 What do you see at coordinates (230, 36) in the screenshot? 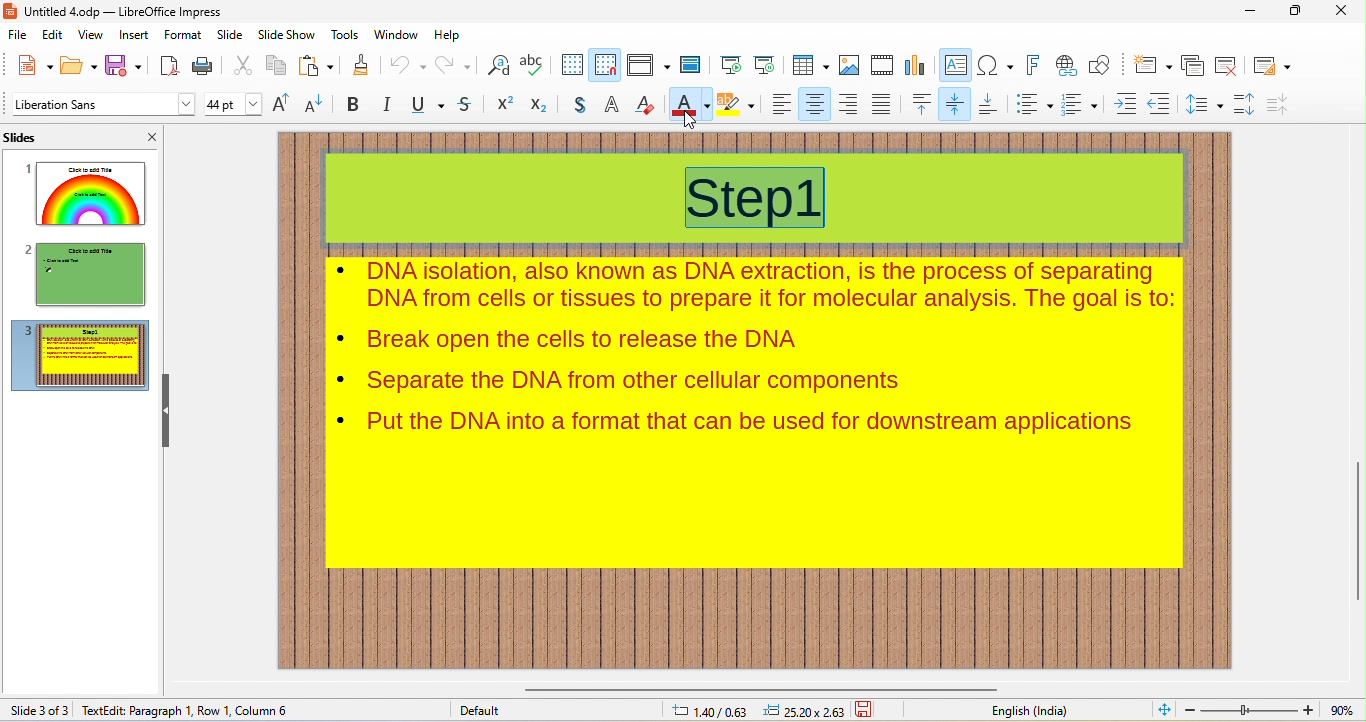
I see `slide` at bounding box center [230, 36].